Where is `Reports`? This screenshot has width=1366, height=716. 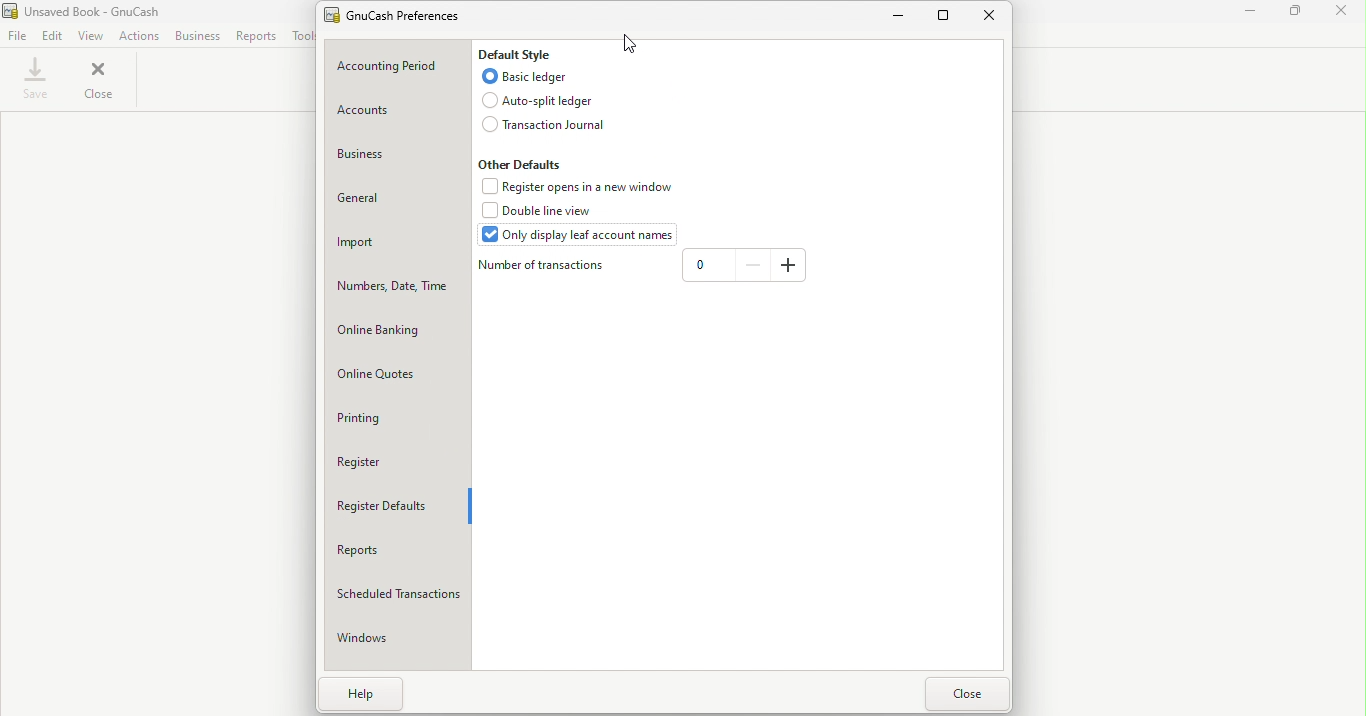
Reports is located at coordinates (396, 549).